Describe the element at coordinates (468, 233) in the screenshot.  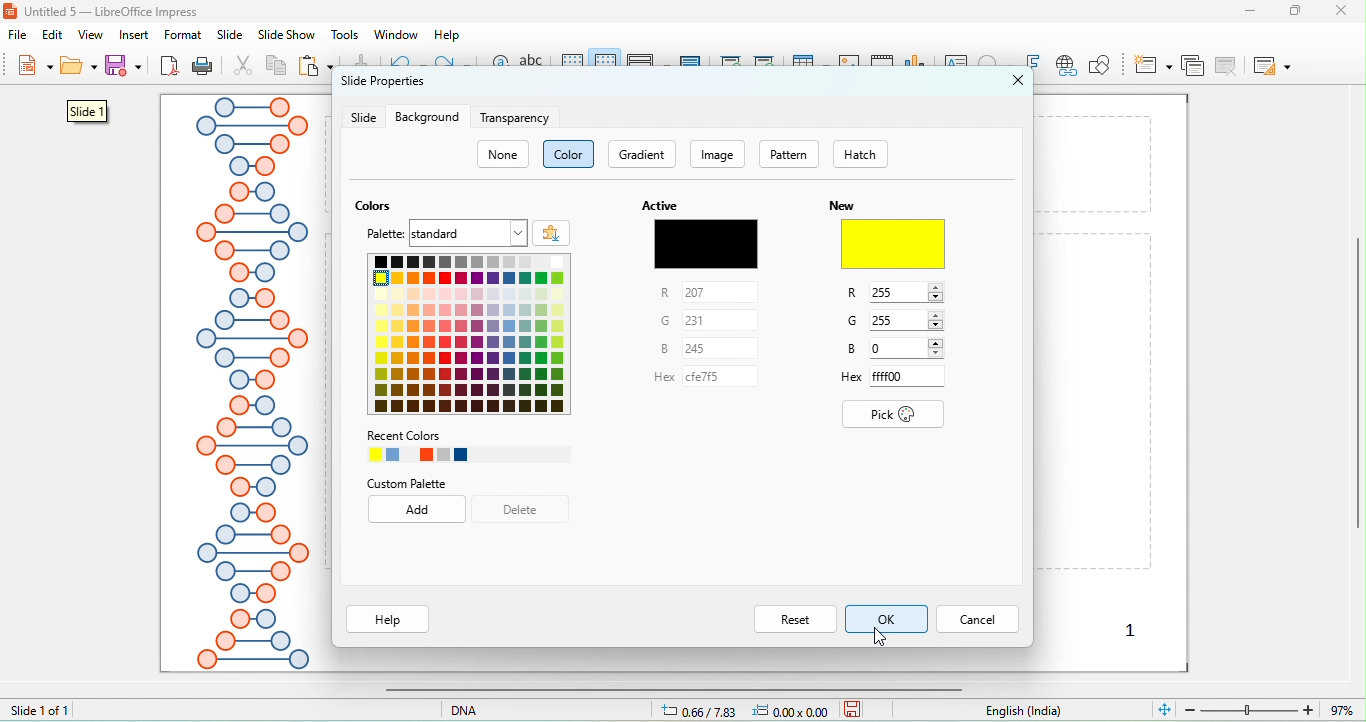
I see `standard` at that location.